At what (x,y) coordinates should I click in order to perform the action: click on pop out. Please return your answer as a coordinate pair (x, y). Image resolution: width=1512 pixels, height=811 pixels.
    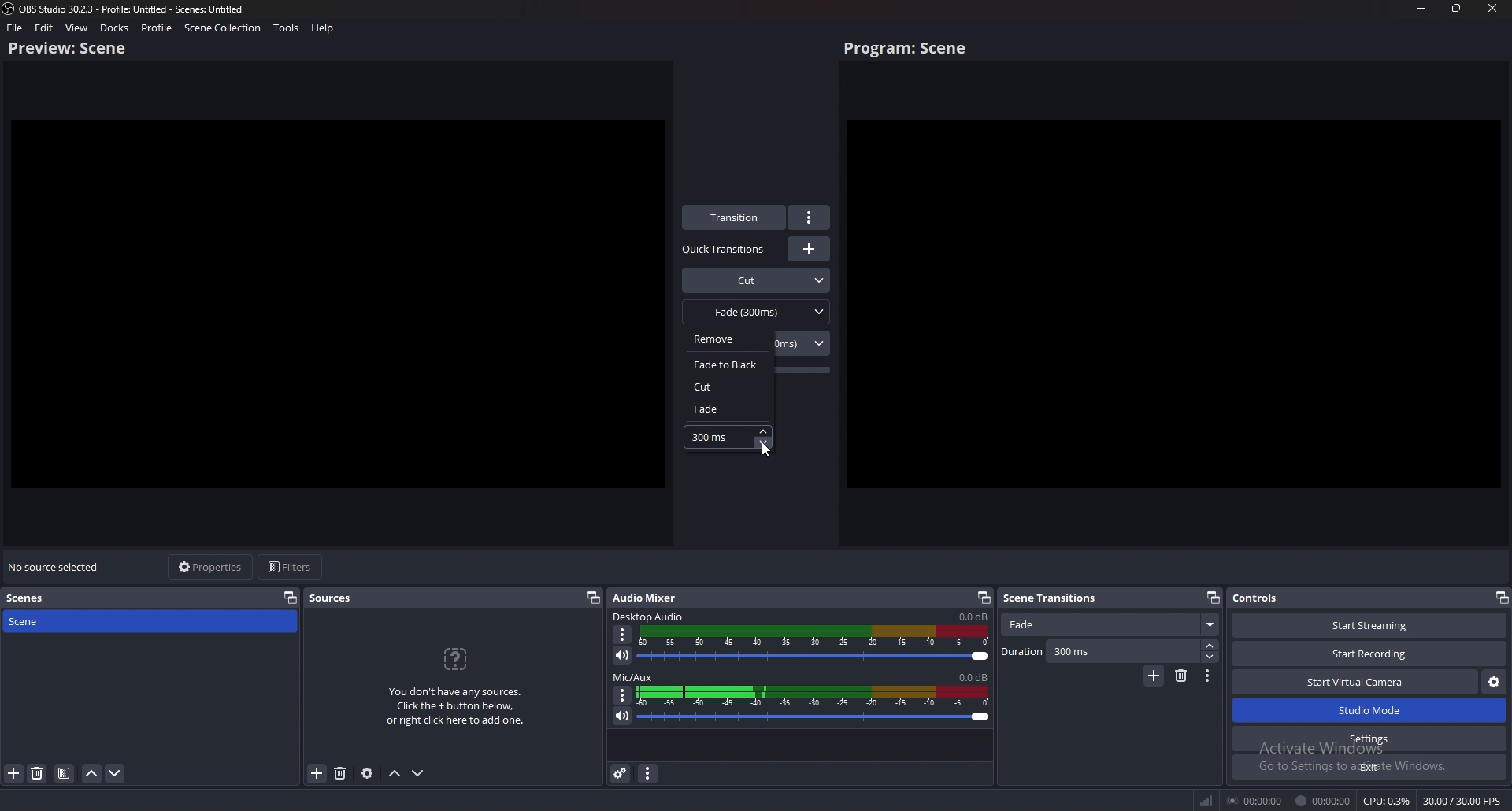
    Looking at the image, I should click on (1500, 597).